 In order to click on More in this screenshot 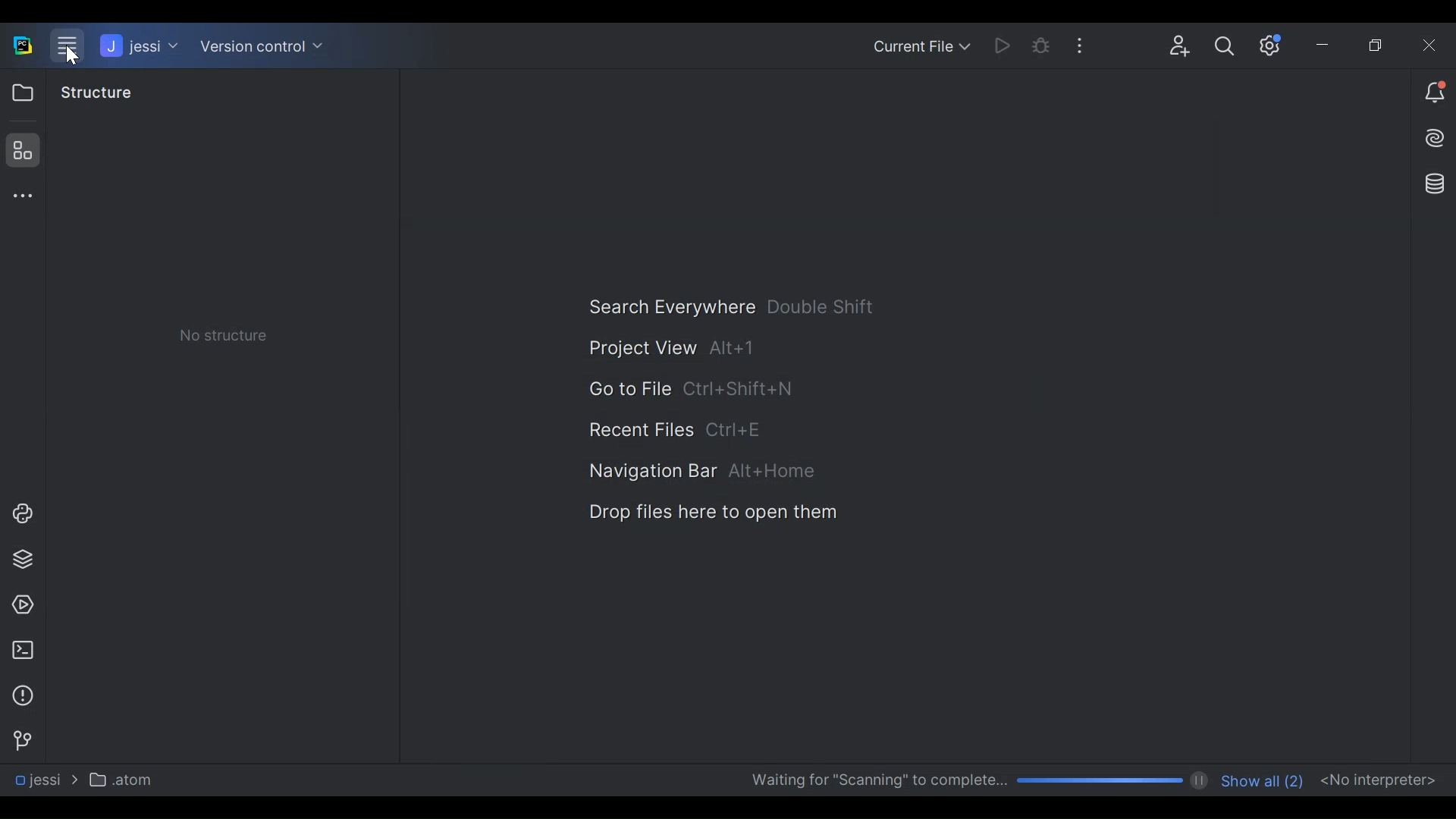, I will do `click(1081, 46)`.